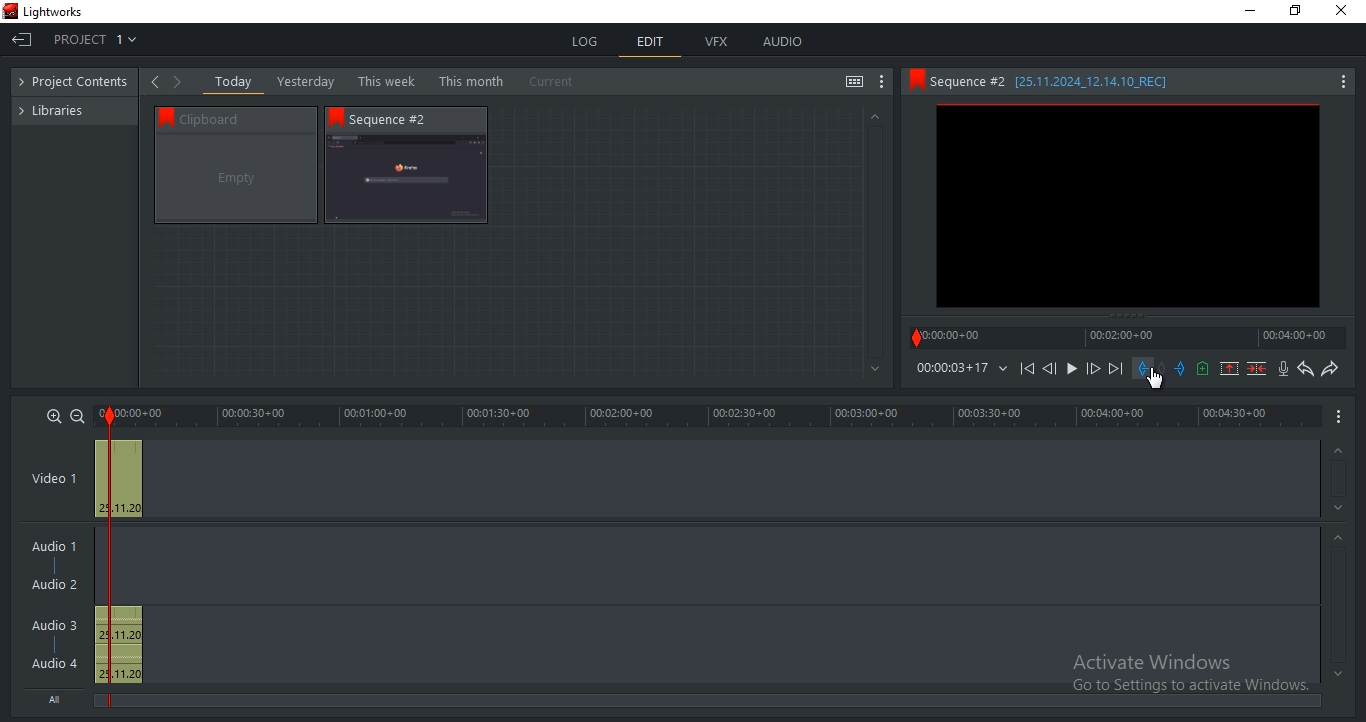  Describe the element at coordinates (54, 480) in the screenshot. I see `Video 1` at that location.